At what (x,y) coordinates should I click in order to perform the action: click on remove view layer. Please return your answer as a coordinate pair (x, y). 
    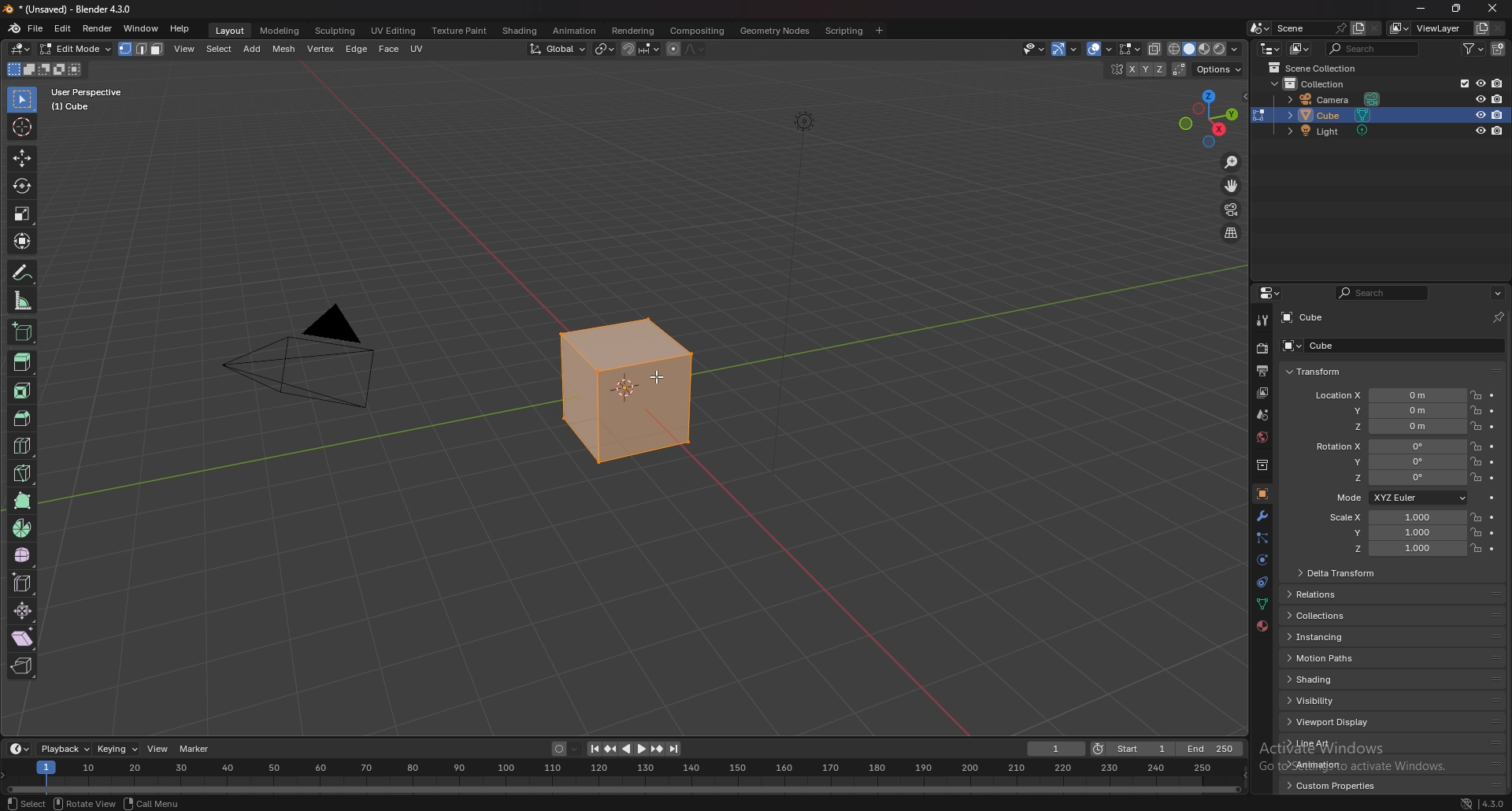
    Looking at the image, I should click on (1499, 29).